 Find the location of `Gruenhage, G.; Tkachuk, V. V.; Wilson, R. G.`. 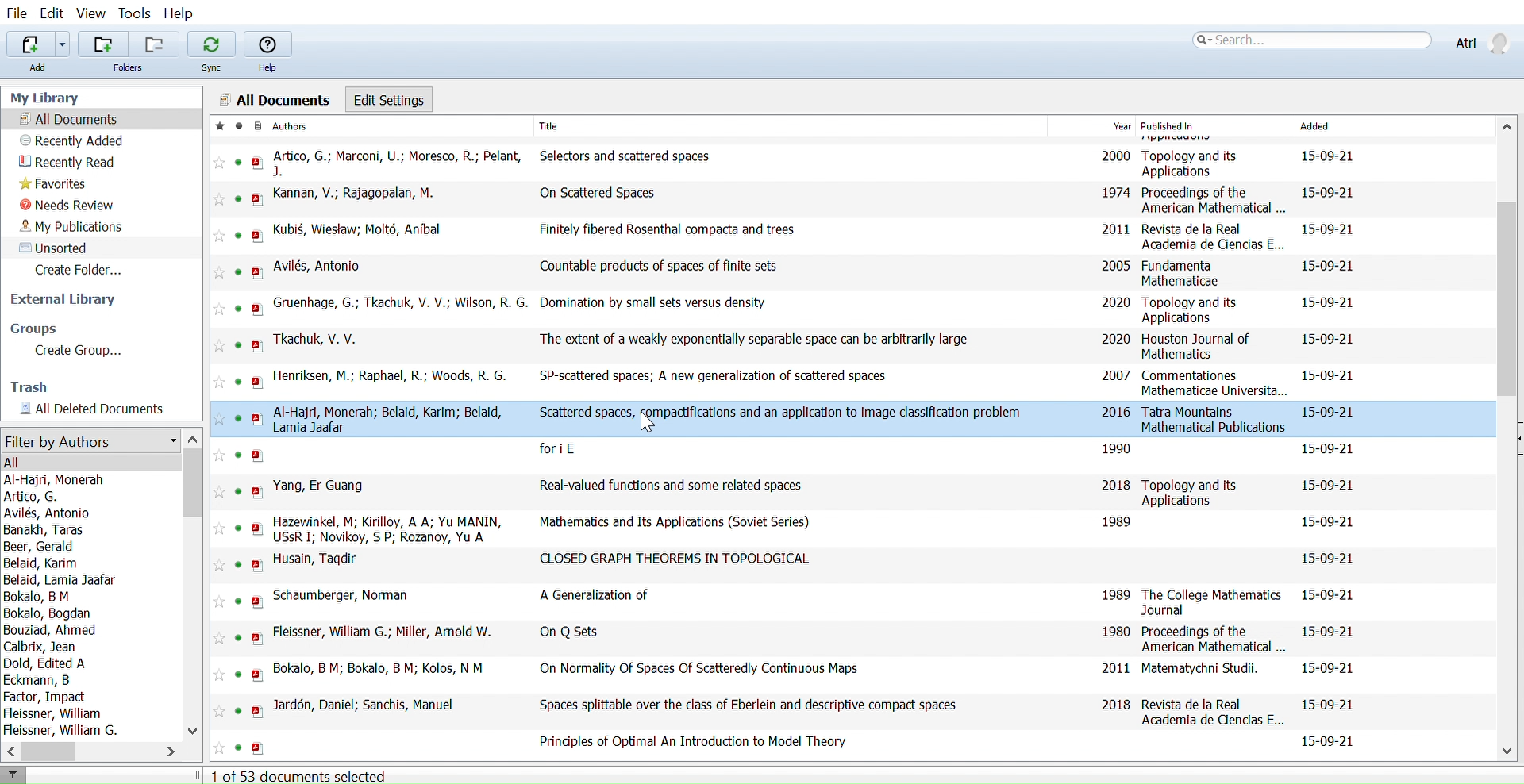

Gruenhage, G.; Tkachuk, V. V.; Wilson, R. G. is located at coordinates (398, 303).